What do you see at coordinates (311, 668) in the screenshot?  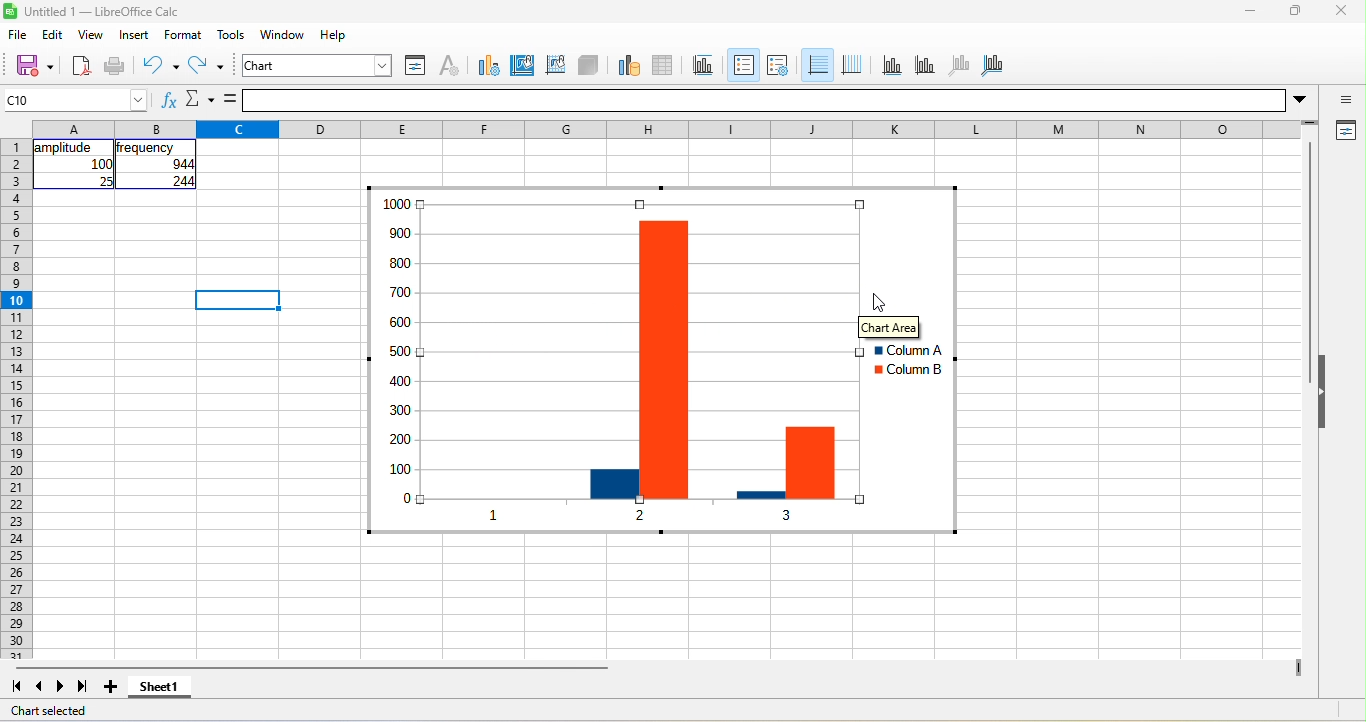 I see `horizontal scroll bar` at bounding box center [311, 668].